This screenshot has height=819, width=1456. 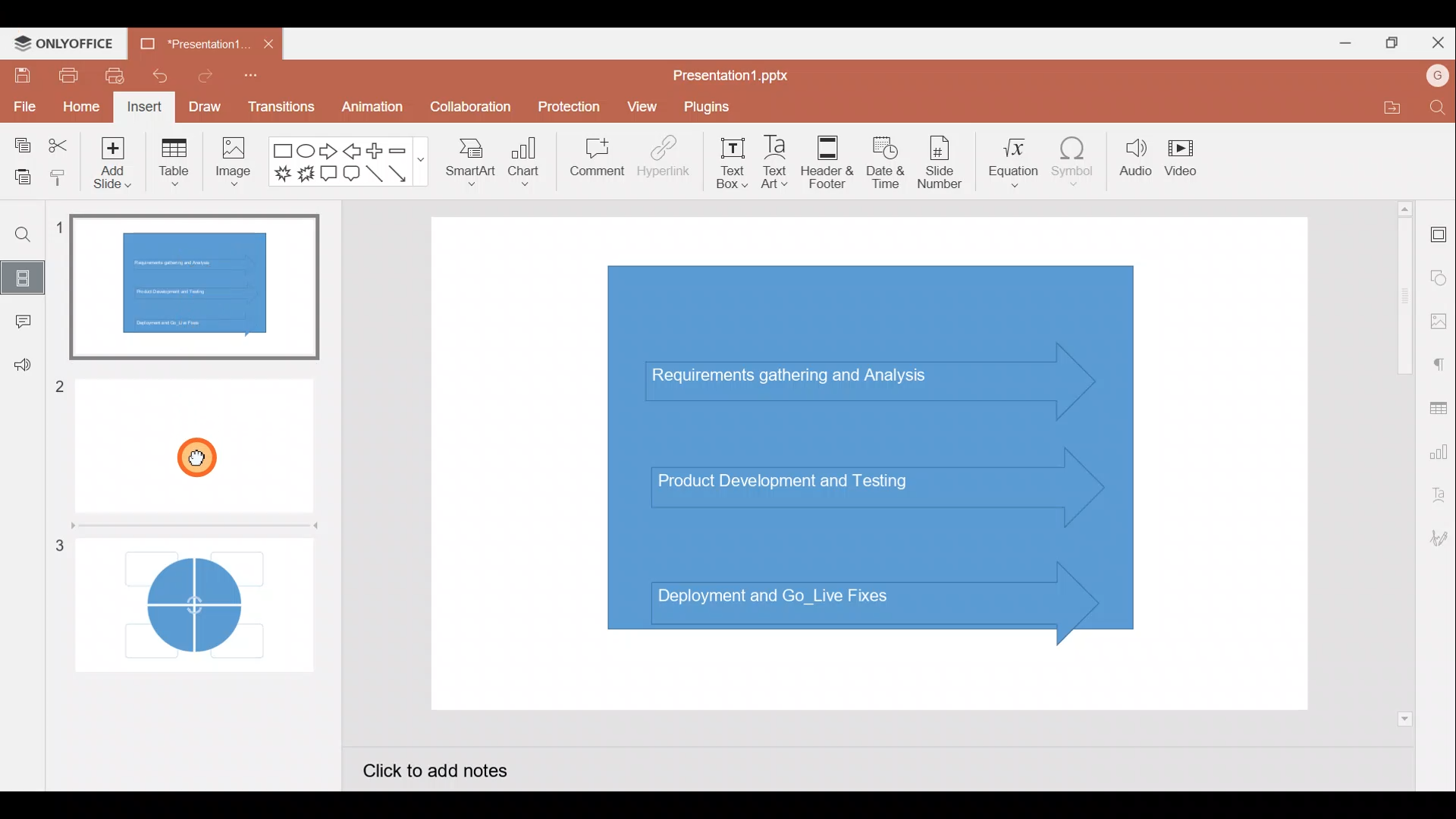 I want to click on Text Art settings, so click(x=1437, y=500).